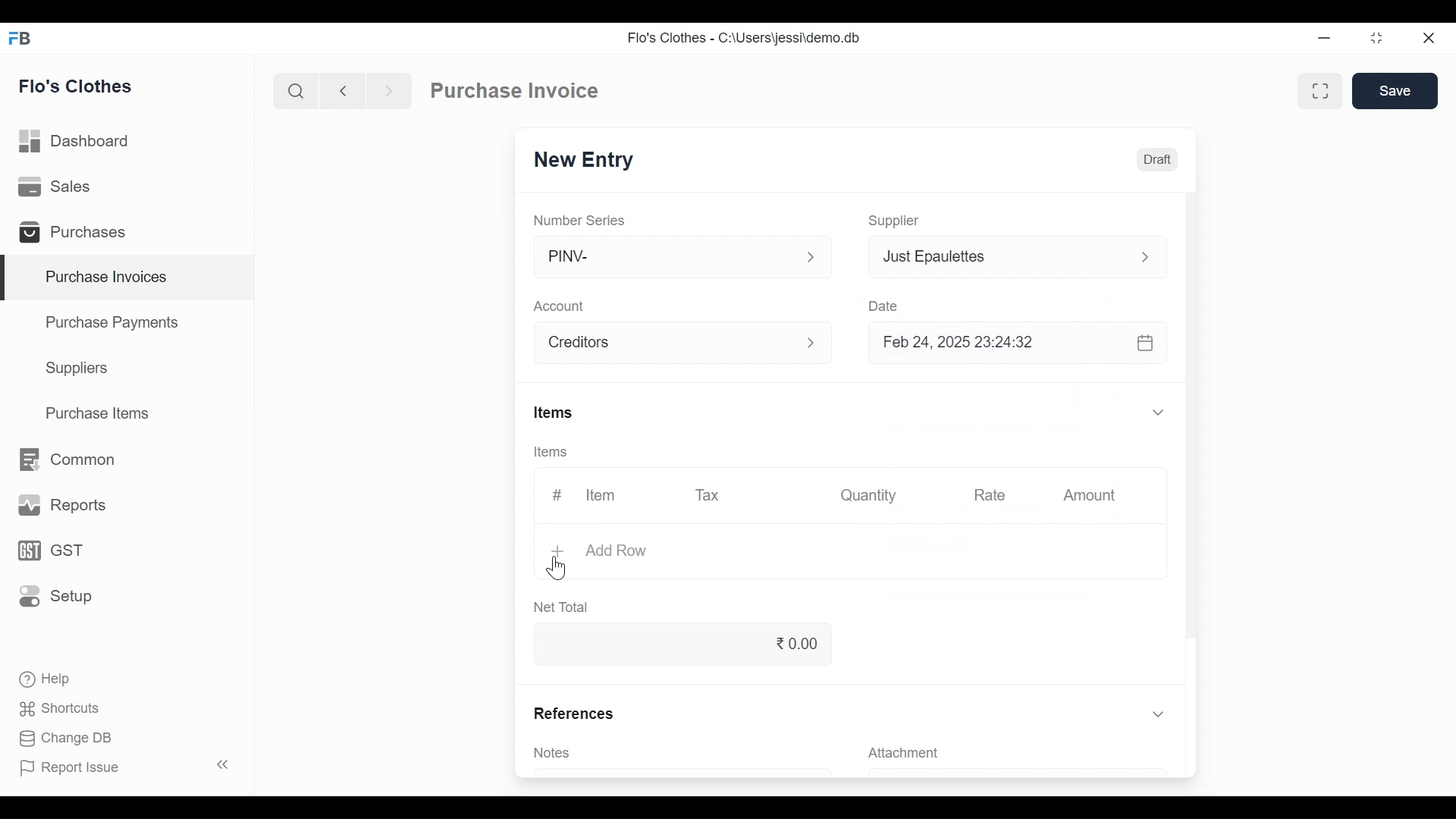 Image resolution: width=1456 pixels, height=819 pixels. I want to click on References, so click(572, 713).